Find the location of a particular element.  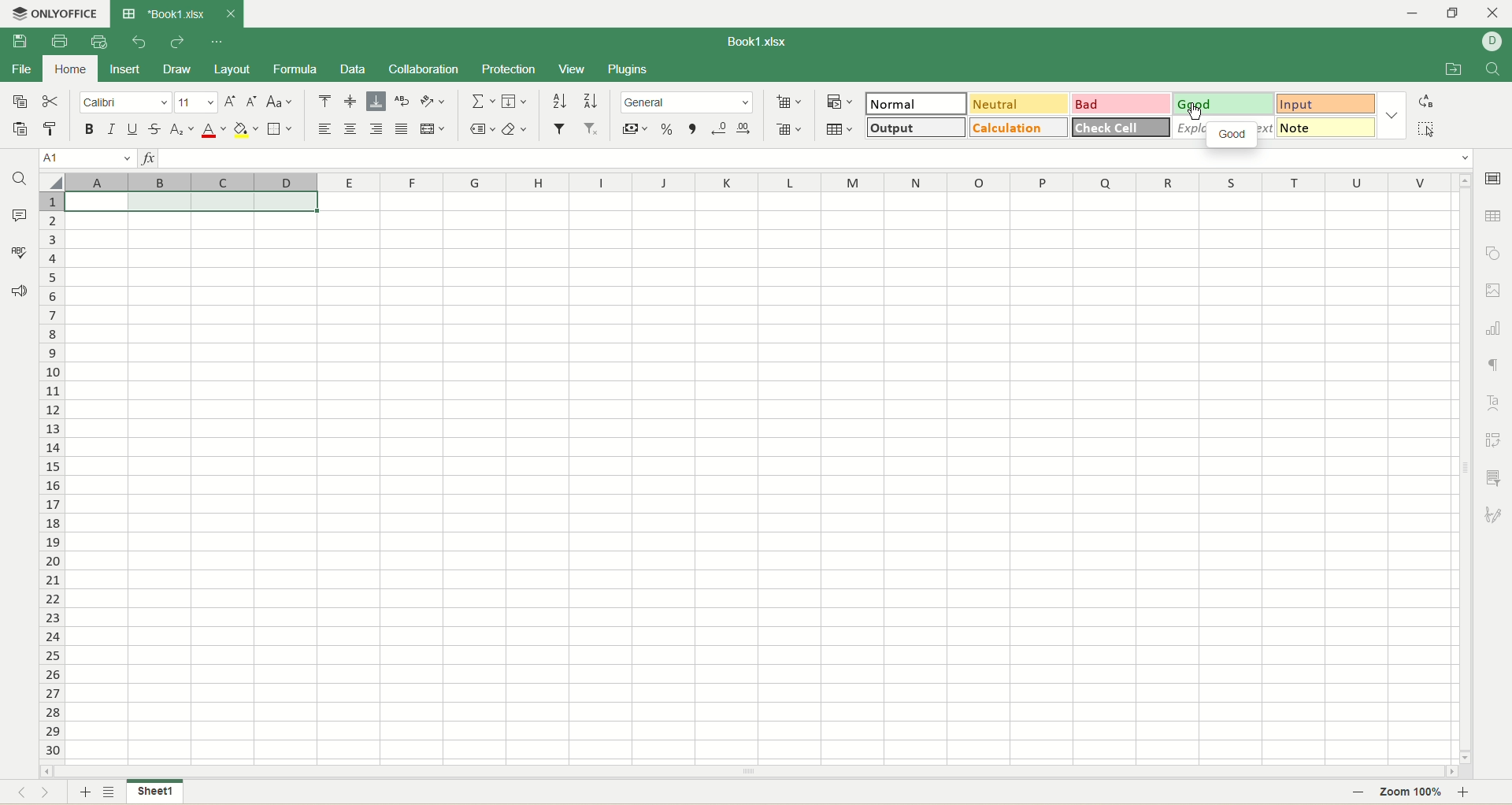

output is located at coordinates (916, 127).